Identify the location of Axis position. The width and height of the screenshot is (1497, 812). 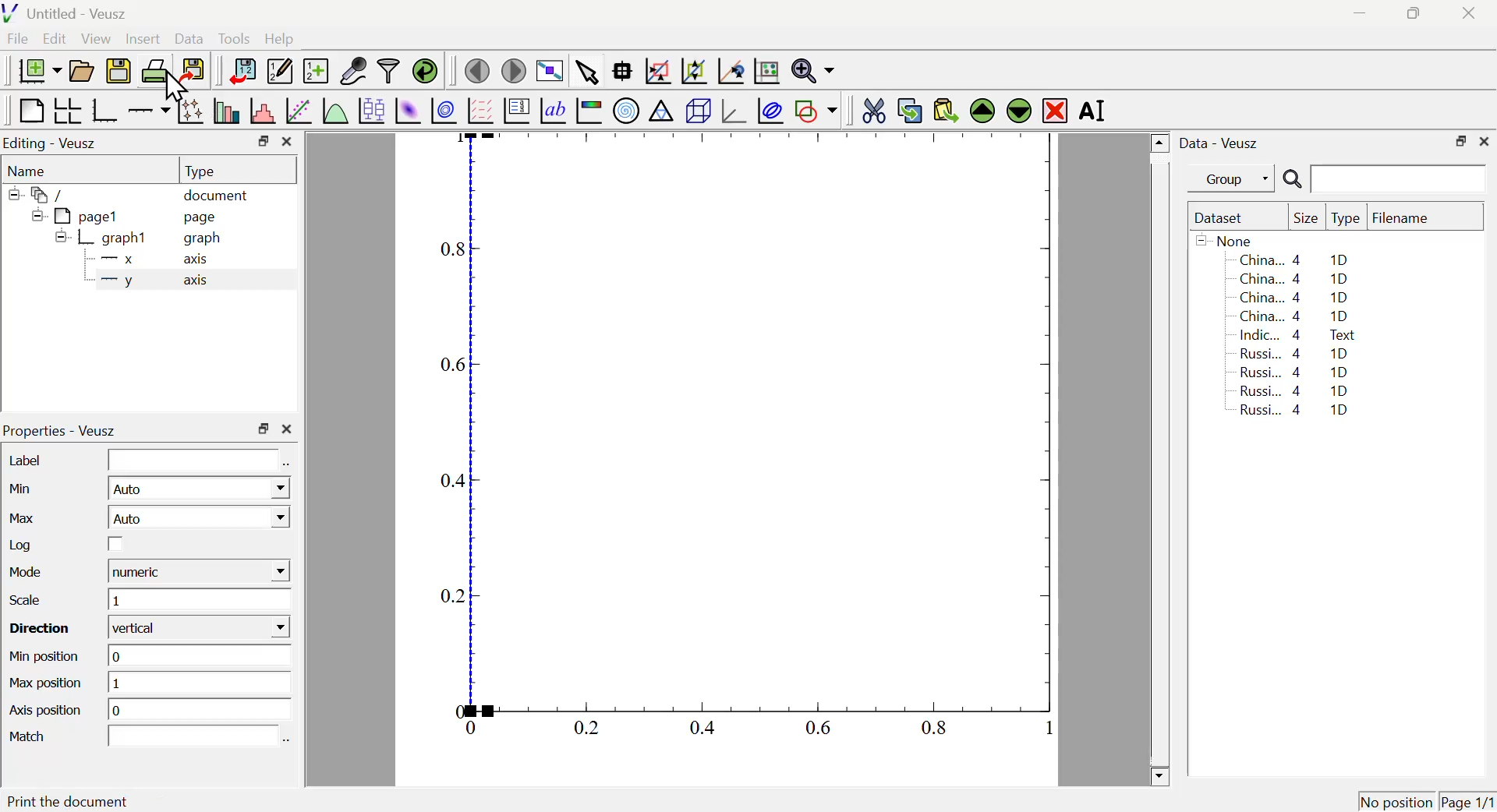
(45, 712).